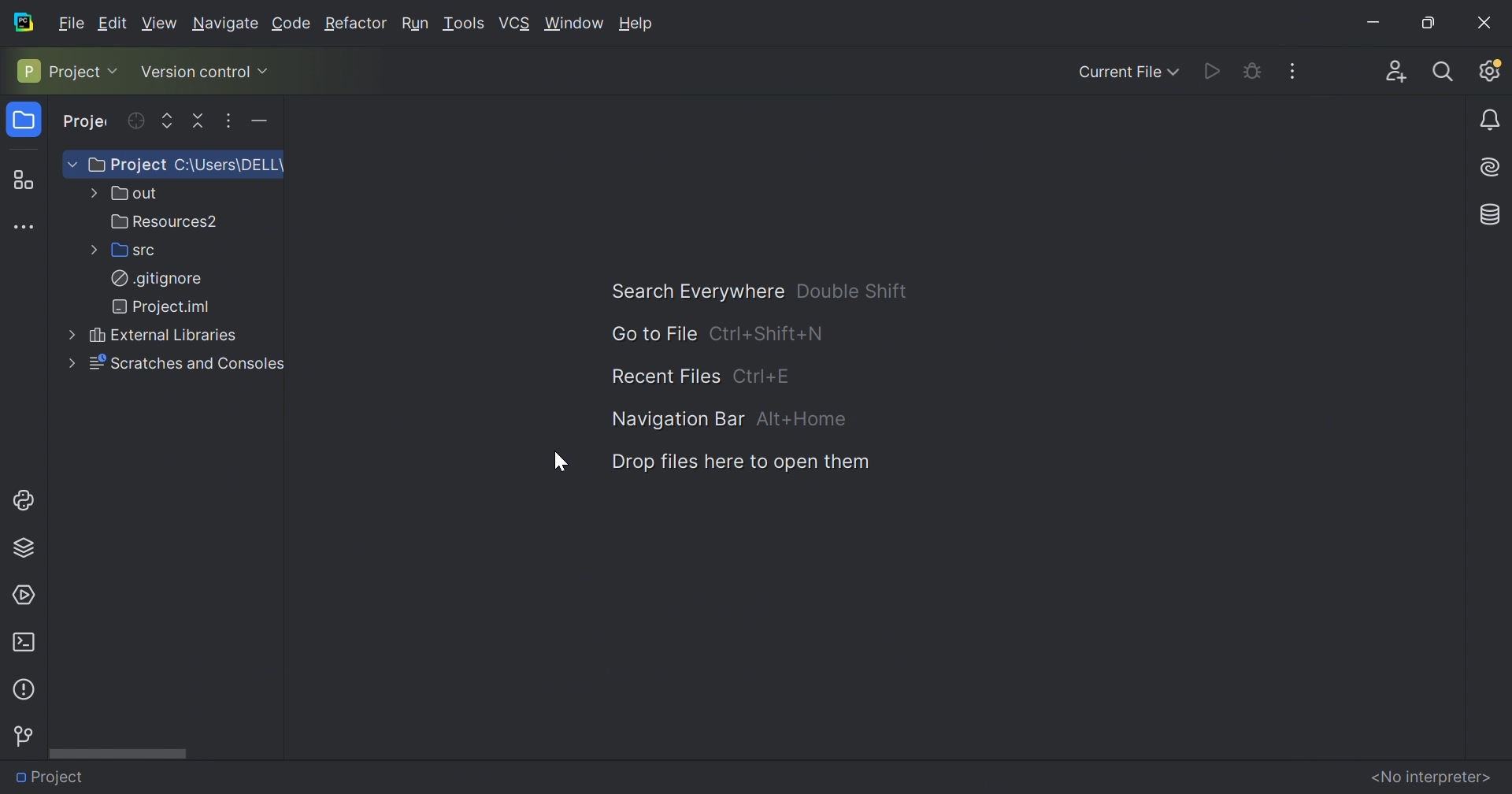 The width and height of the screenshot is (1512, 794). I want to click on Refactor, so click(354, 24).